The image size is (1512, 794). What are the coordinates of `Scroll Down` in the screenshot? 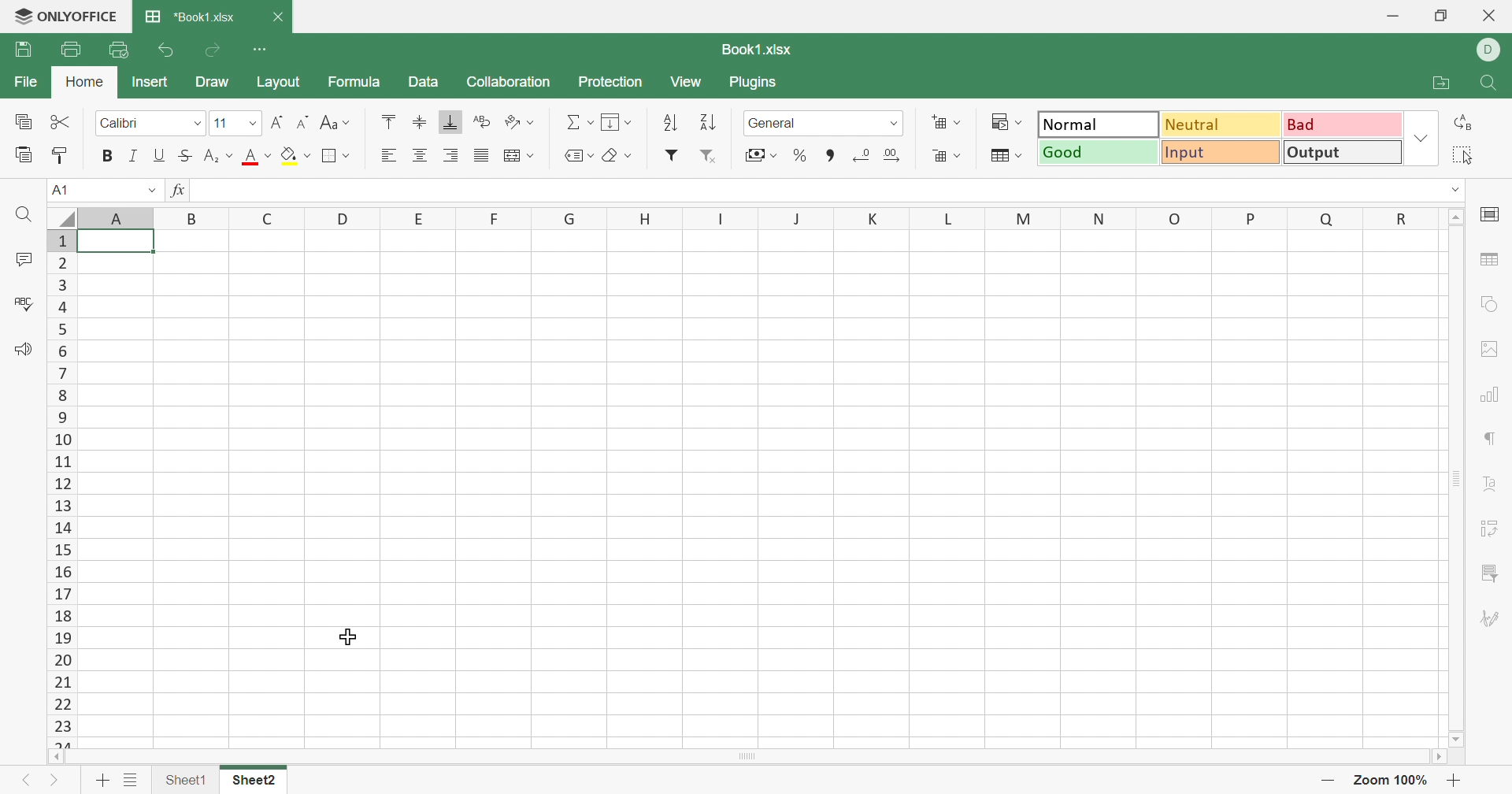 It's located at (1460, 736).